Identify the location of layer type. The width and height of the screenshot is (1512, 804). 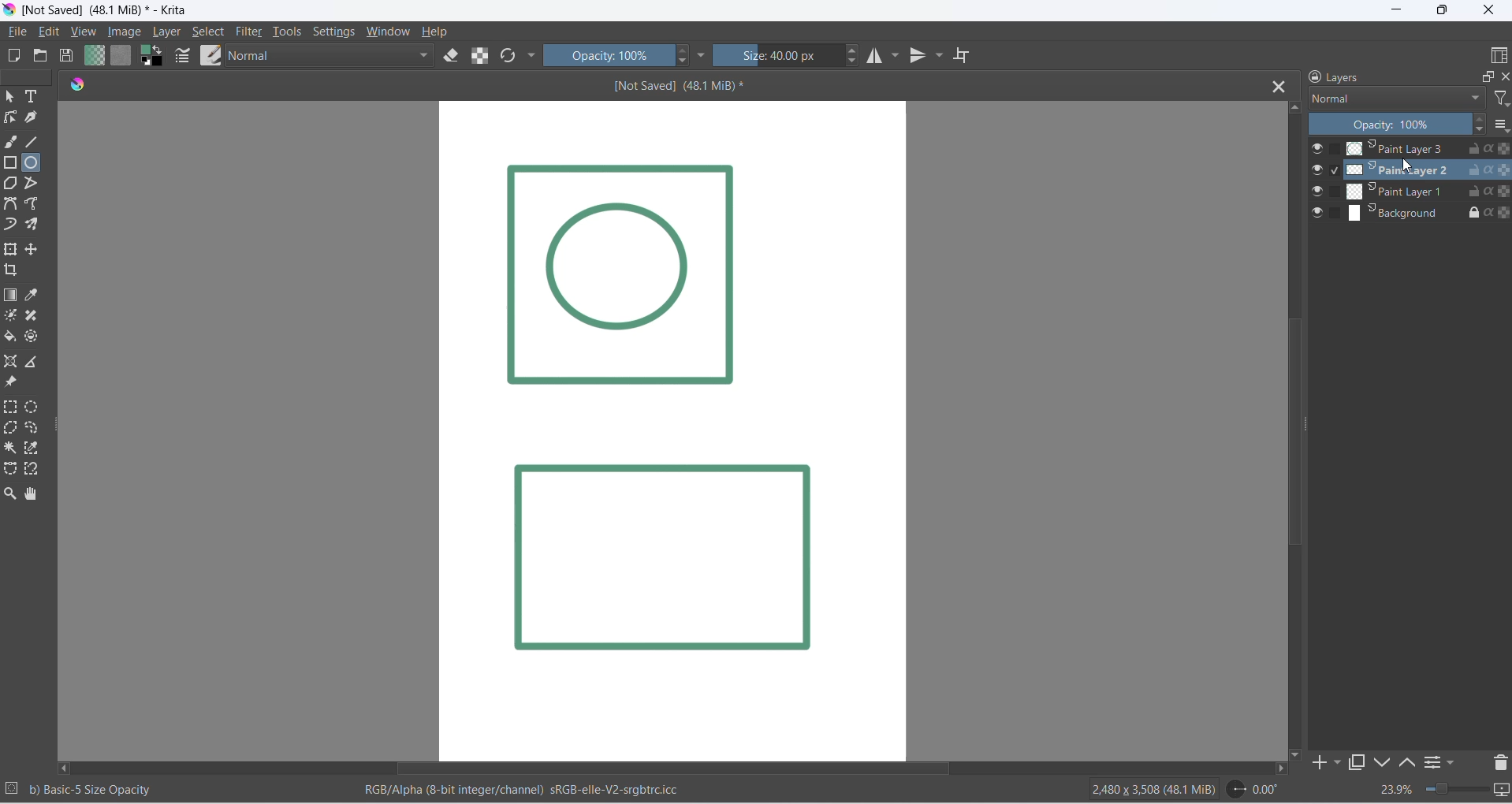
(1395, 98).